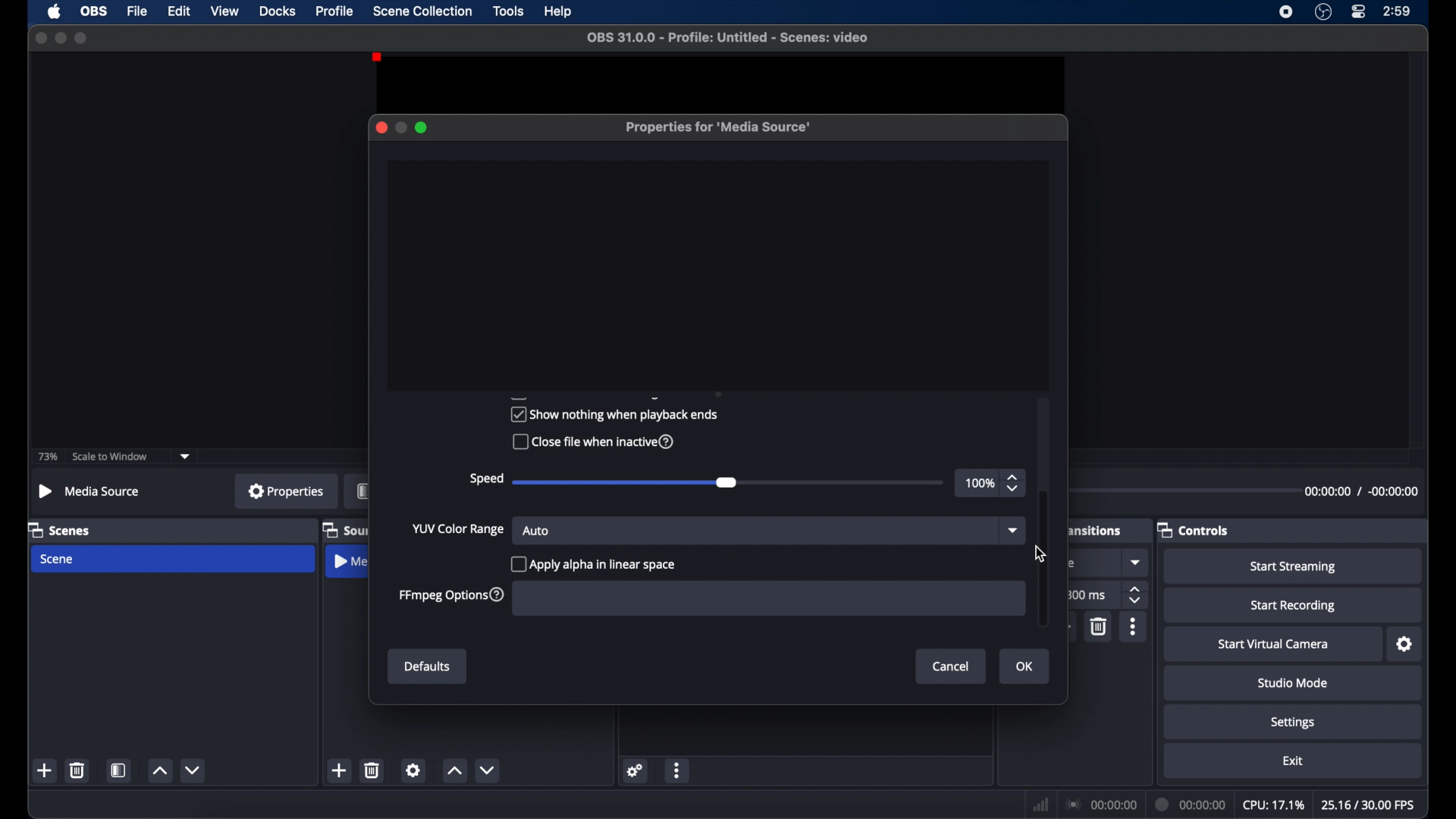  Describe the element at coordinates (1293, 606) in the screenshot. I see `start recording` at that location.